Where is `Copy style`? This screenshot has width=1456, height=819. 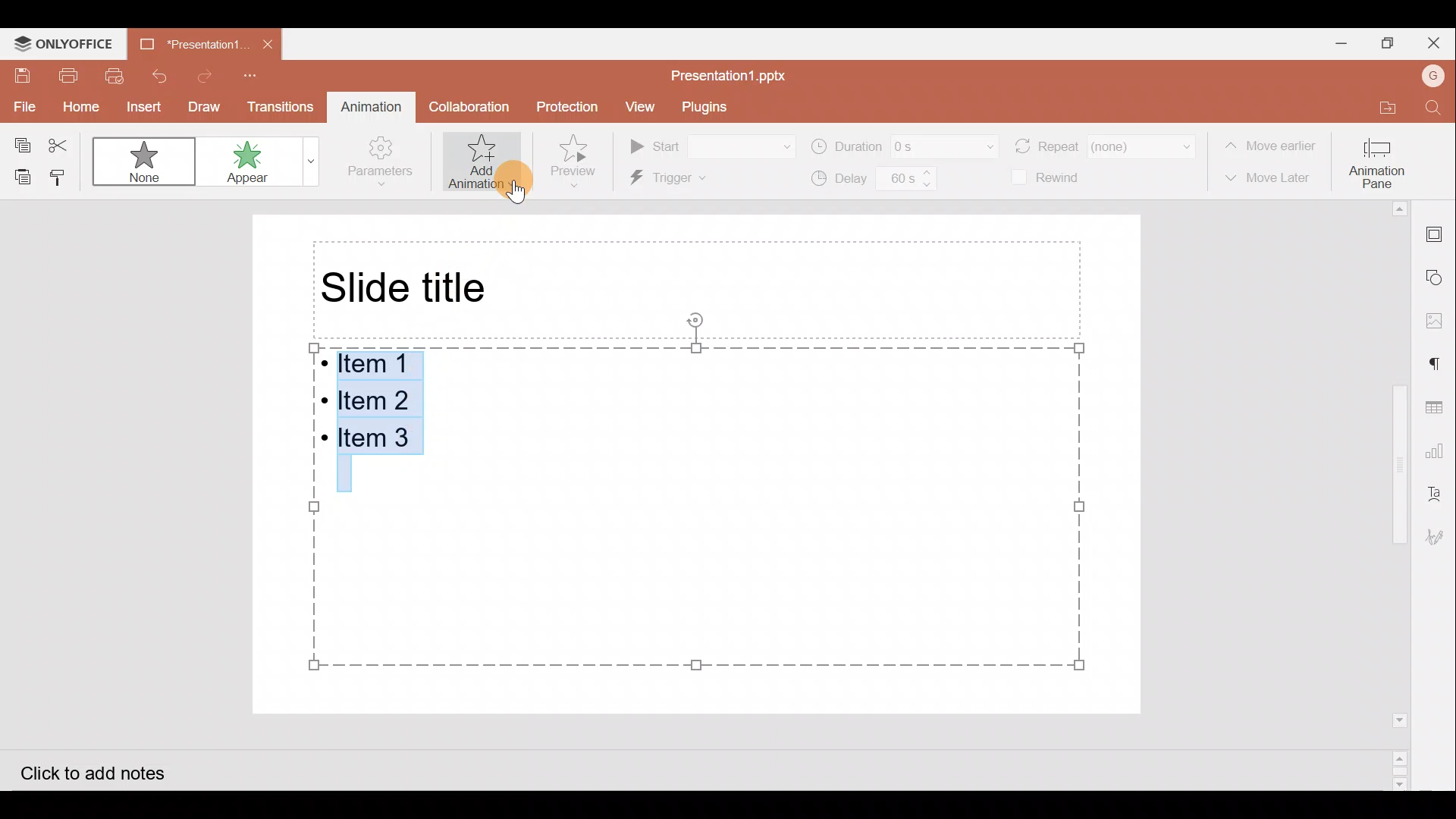
Copy style is located at coordinates (62, 175).